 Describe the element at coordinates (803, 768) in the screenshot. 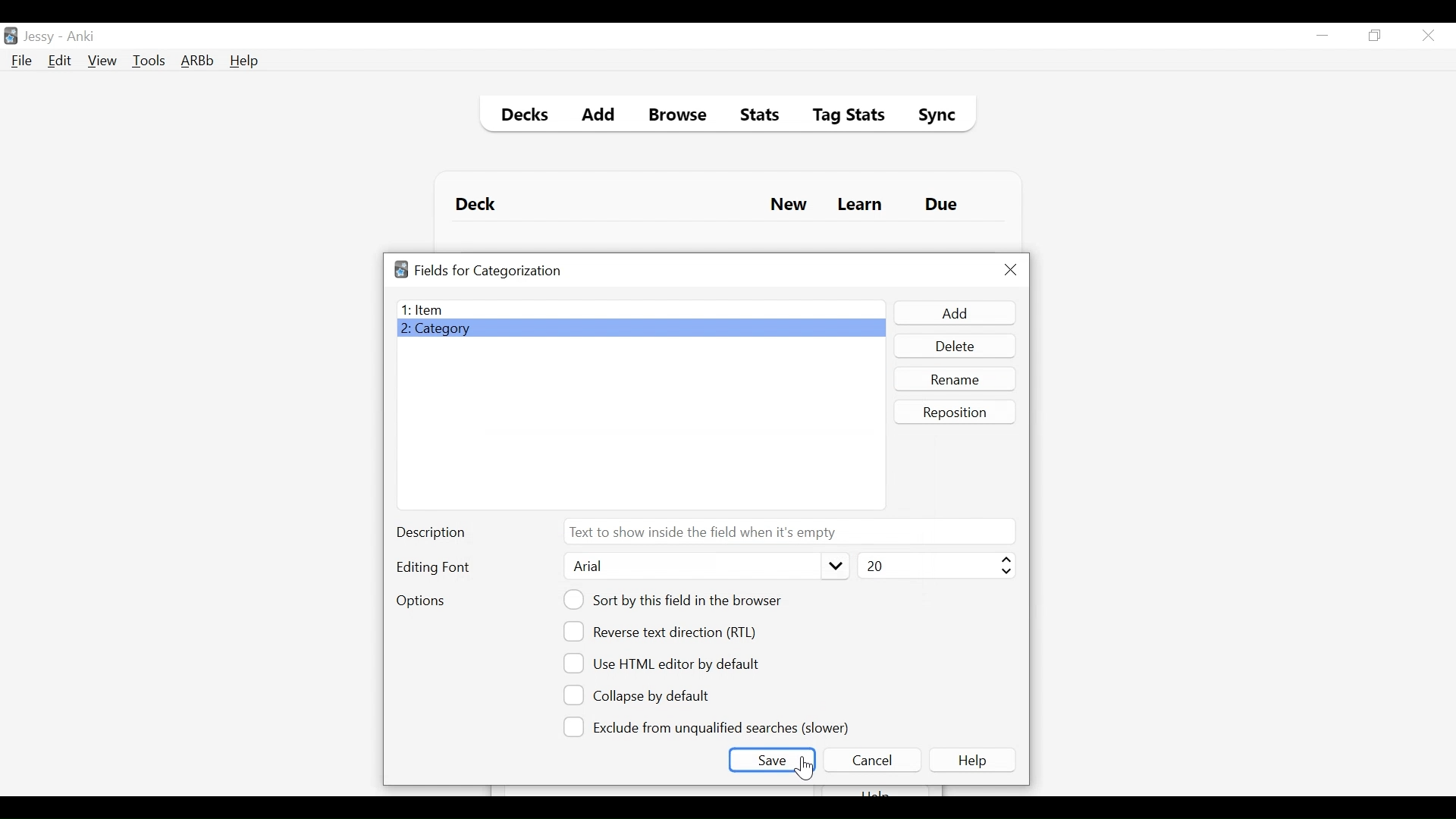

I see `Cursor` at that location.